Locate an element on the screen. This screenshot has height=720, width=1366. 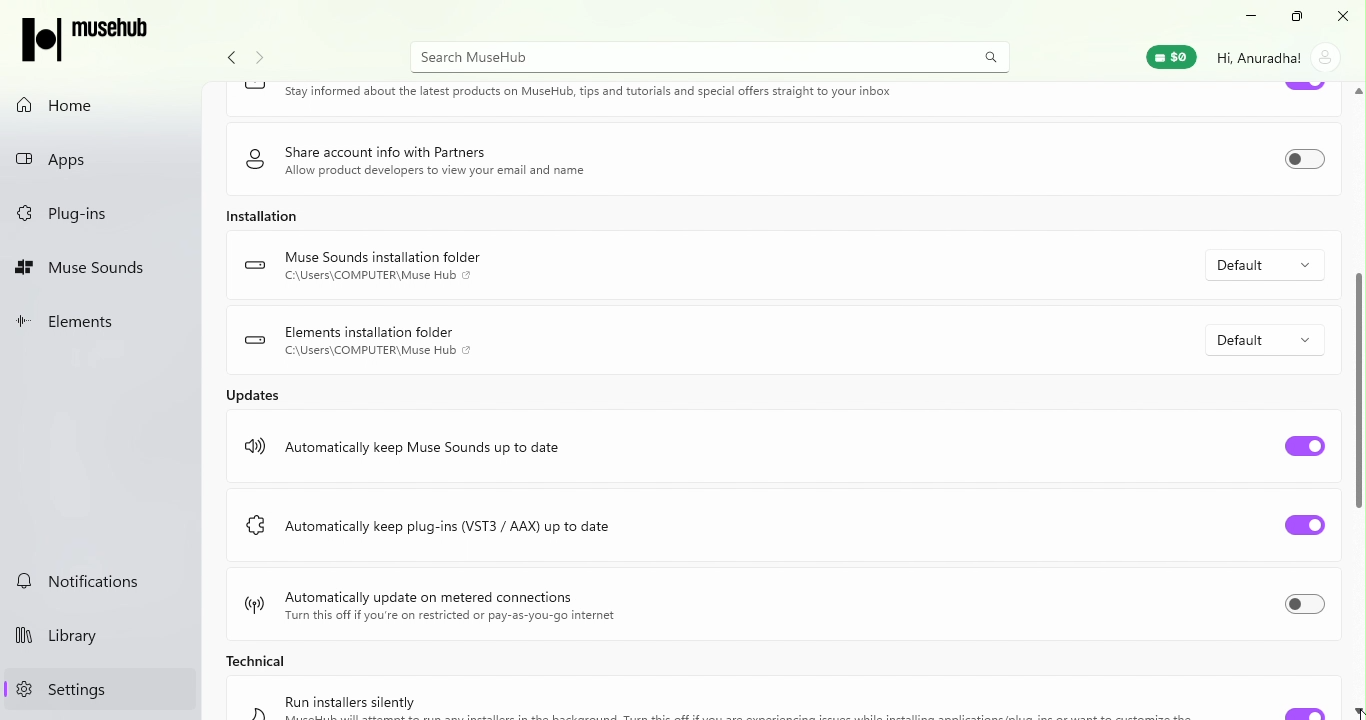
Default is located at coordinates (1265, 265).